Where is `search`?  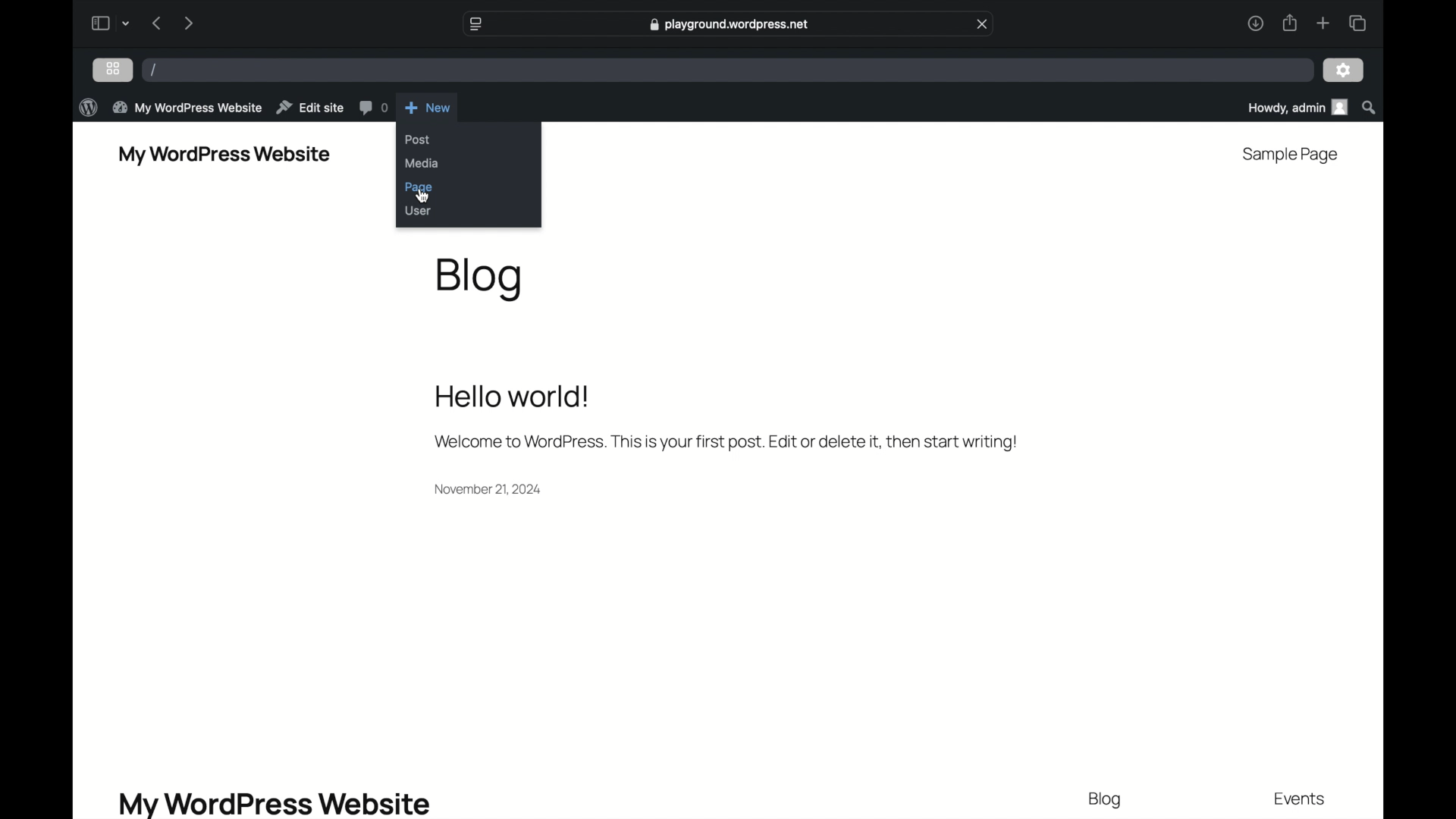
search is located at coordinates (1370, 107).